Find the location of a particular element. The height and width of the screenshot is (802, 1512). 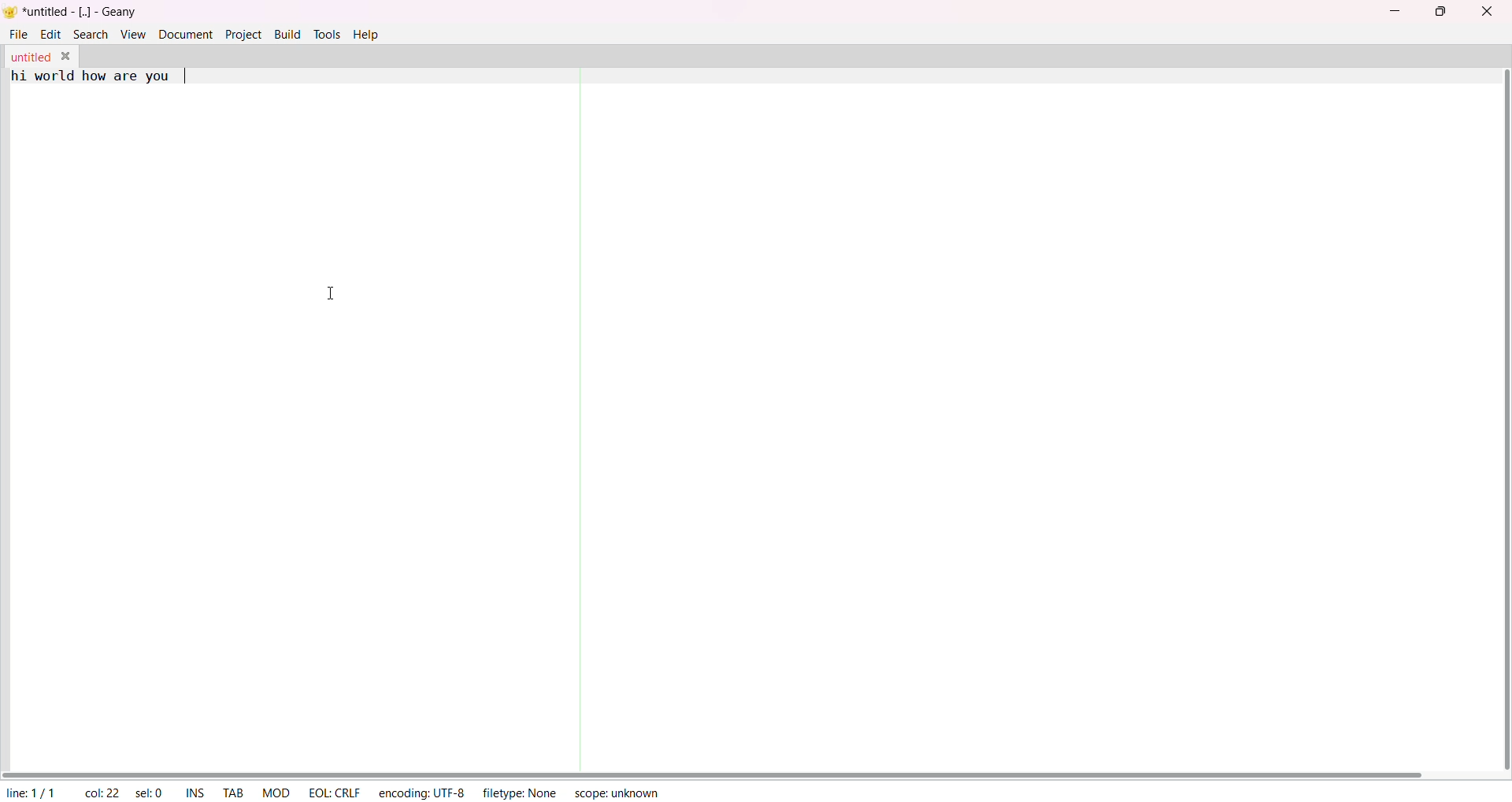

view is located at coordinates (134, 34).